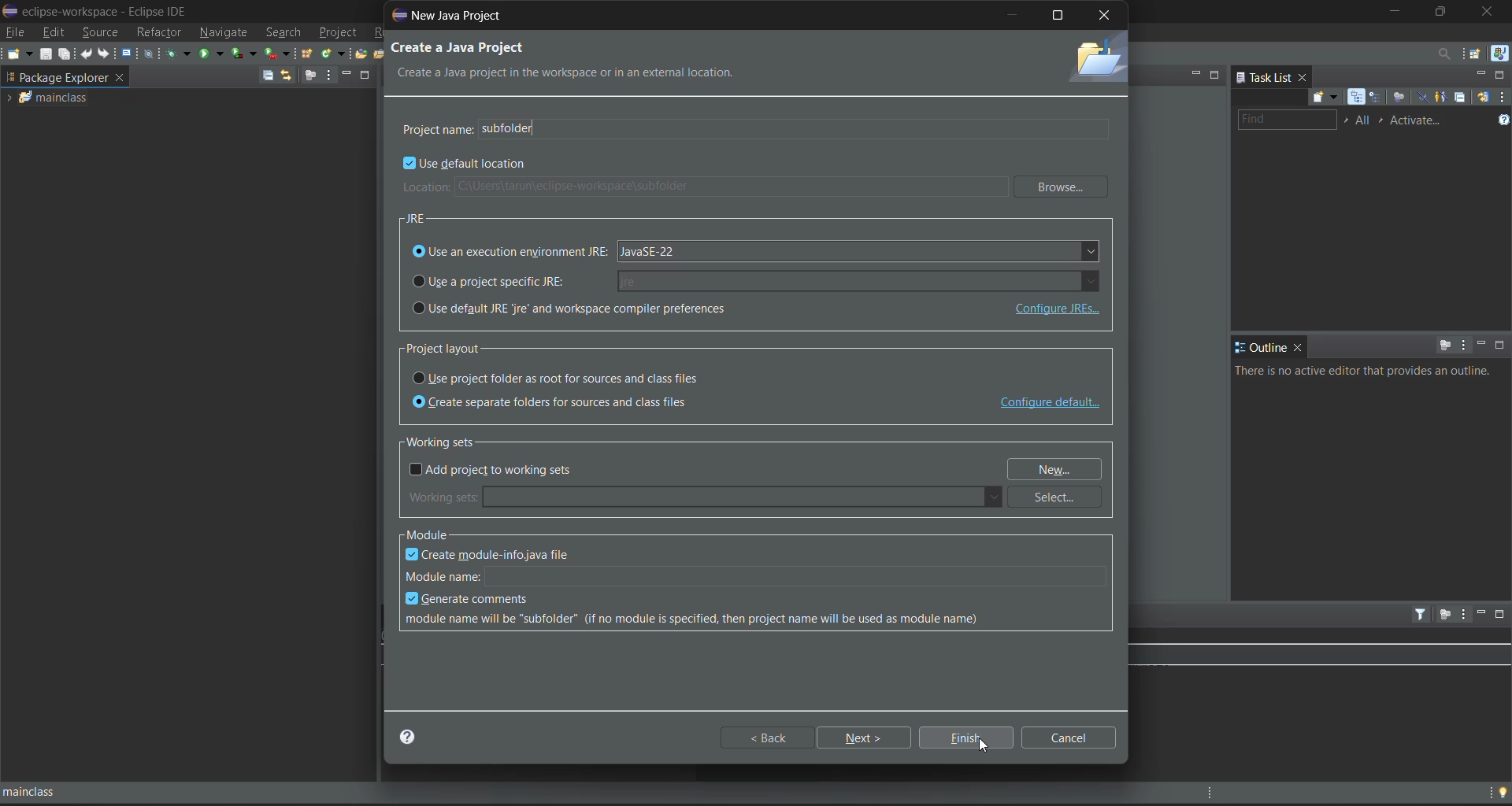 This screenshot has height=806, width=1512. What do you see at coordinates (128, 53) in the screenshot?
I see `open a terminal` at bounding box center [128, 53].